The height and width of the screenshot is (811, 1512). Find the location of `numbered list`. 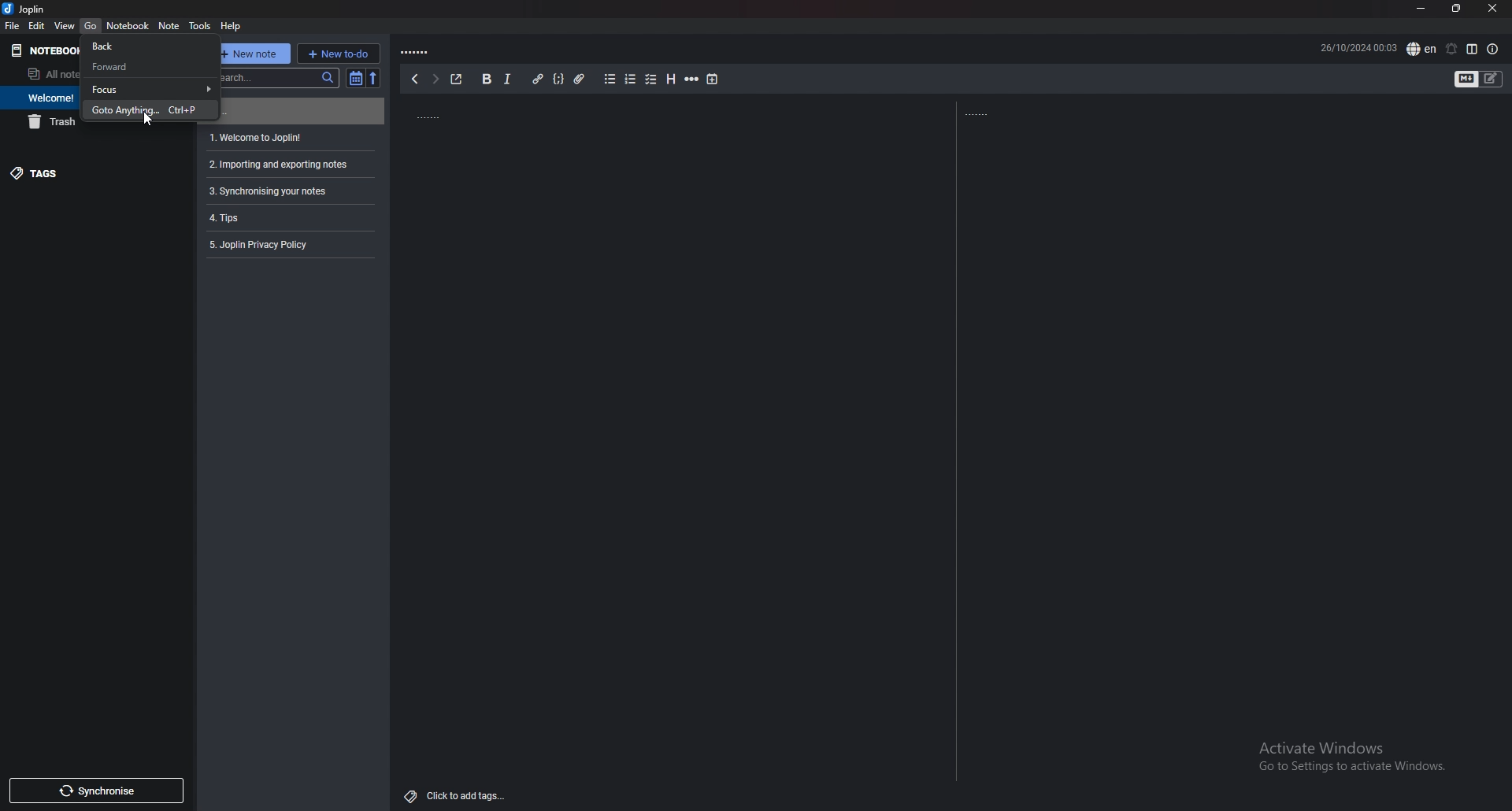

numbered list is located at coordinates (630, 80).